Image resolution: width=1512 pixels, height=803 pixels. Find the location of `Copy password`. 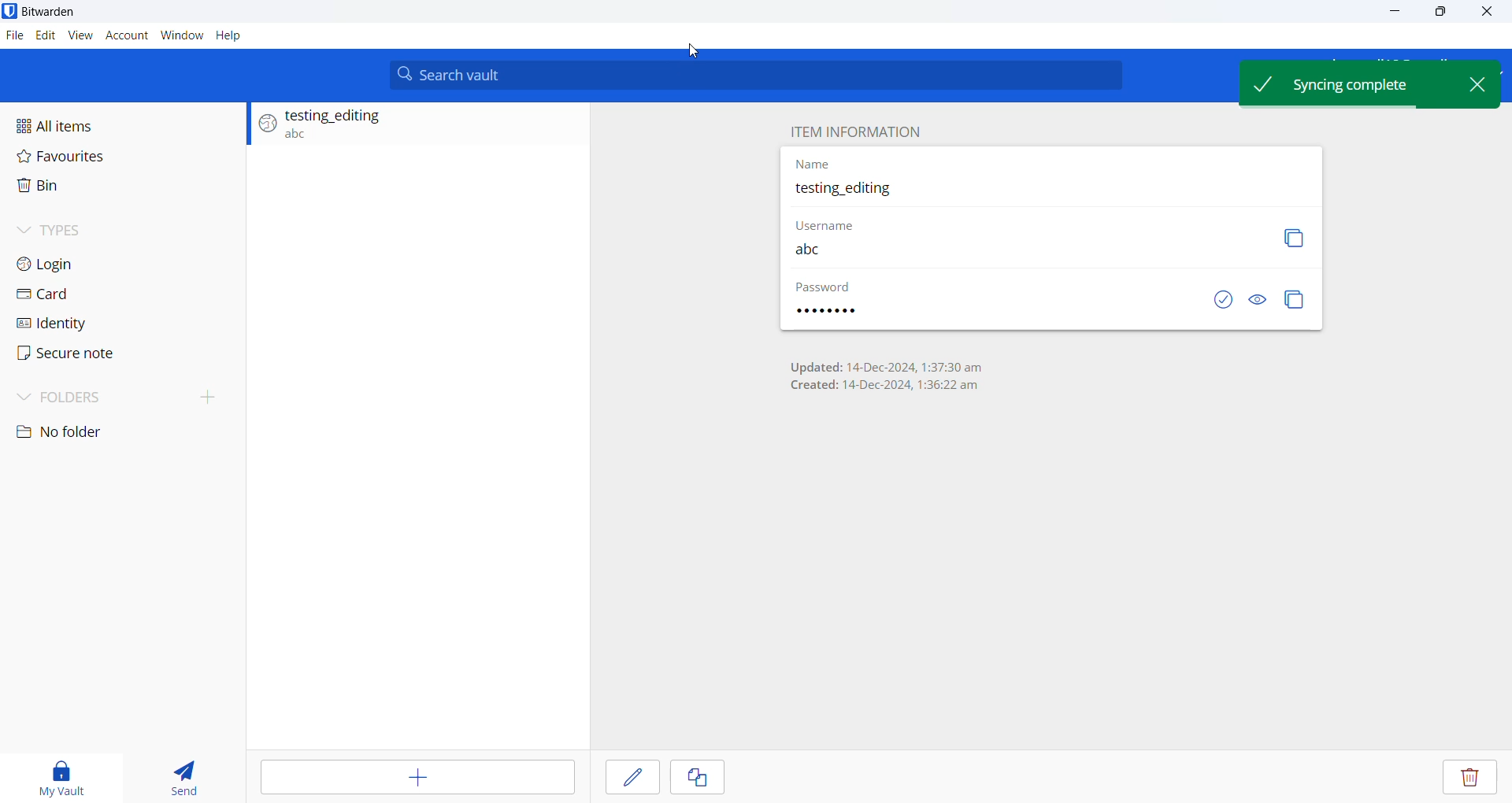

Copy password is located at coordinates (1296, 300).